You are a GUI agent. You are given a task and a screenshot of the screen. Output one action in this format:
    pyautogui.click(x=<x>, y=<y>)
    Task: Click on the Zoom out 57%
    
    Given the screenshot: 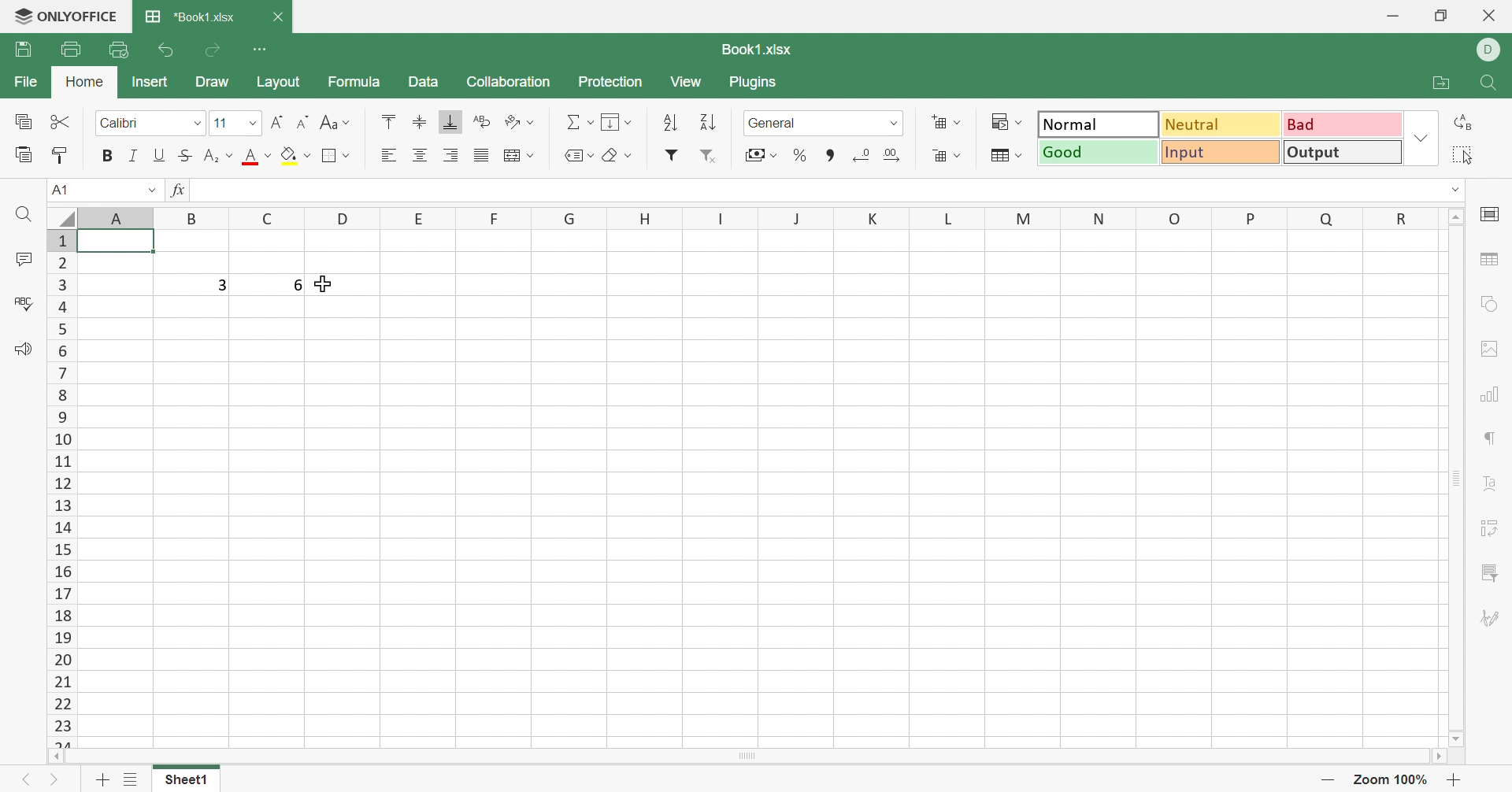 What is the action you would take?
    pyautogui.click(x=1390, y=779)
    